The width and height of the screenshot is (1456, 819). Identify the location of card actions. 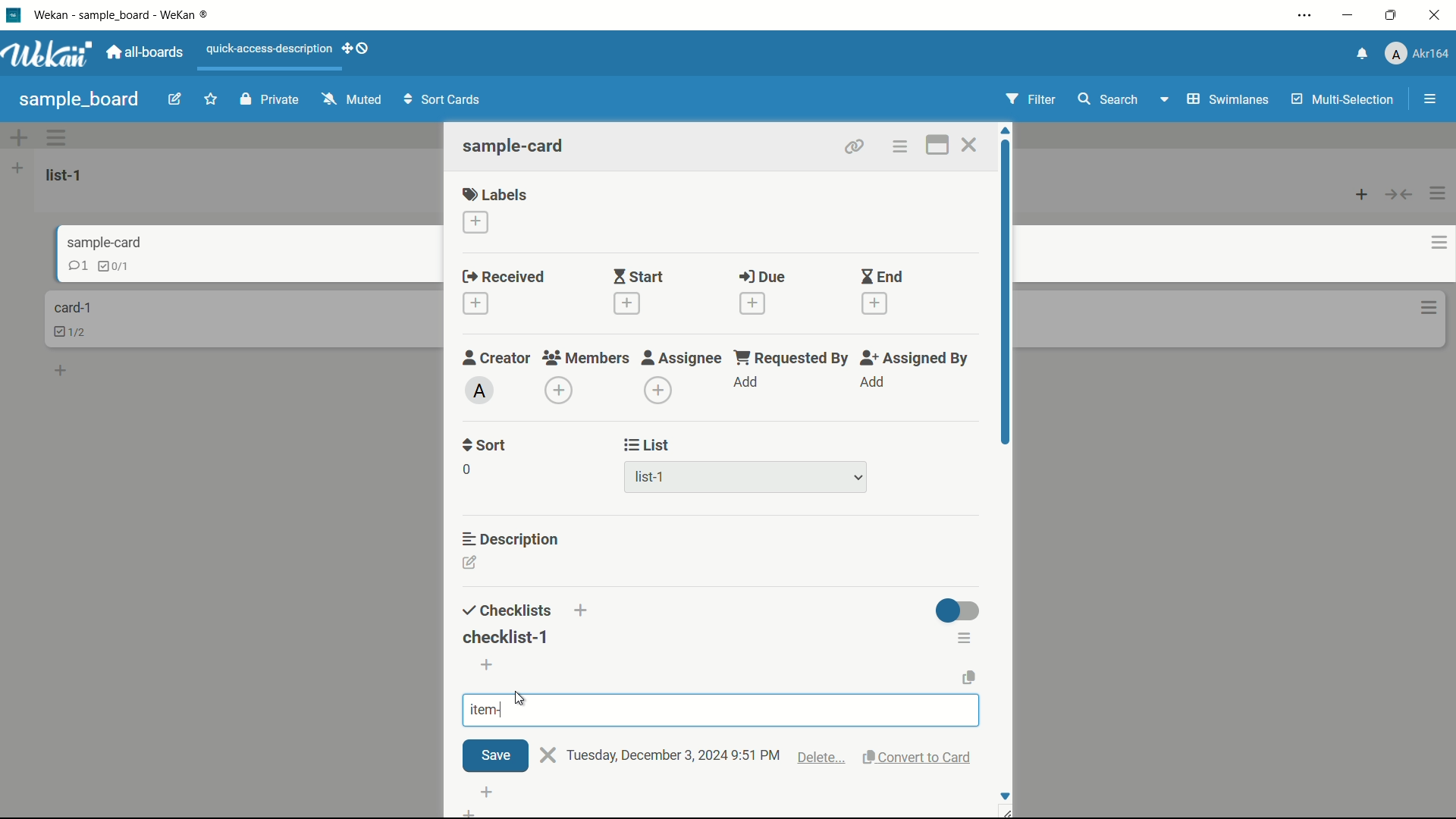
(900, 146).